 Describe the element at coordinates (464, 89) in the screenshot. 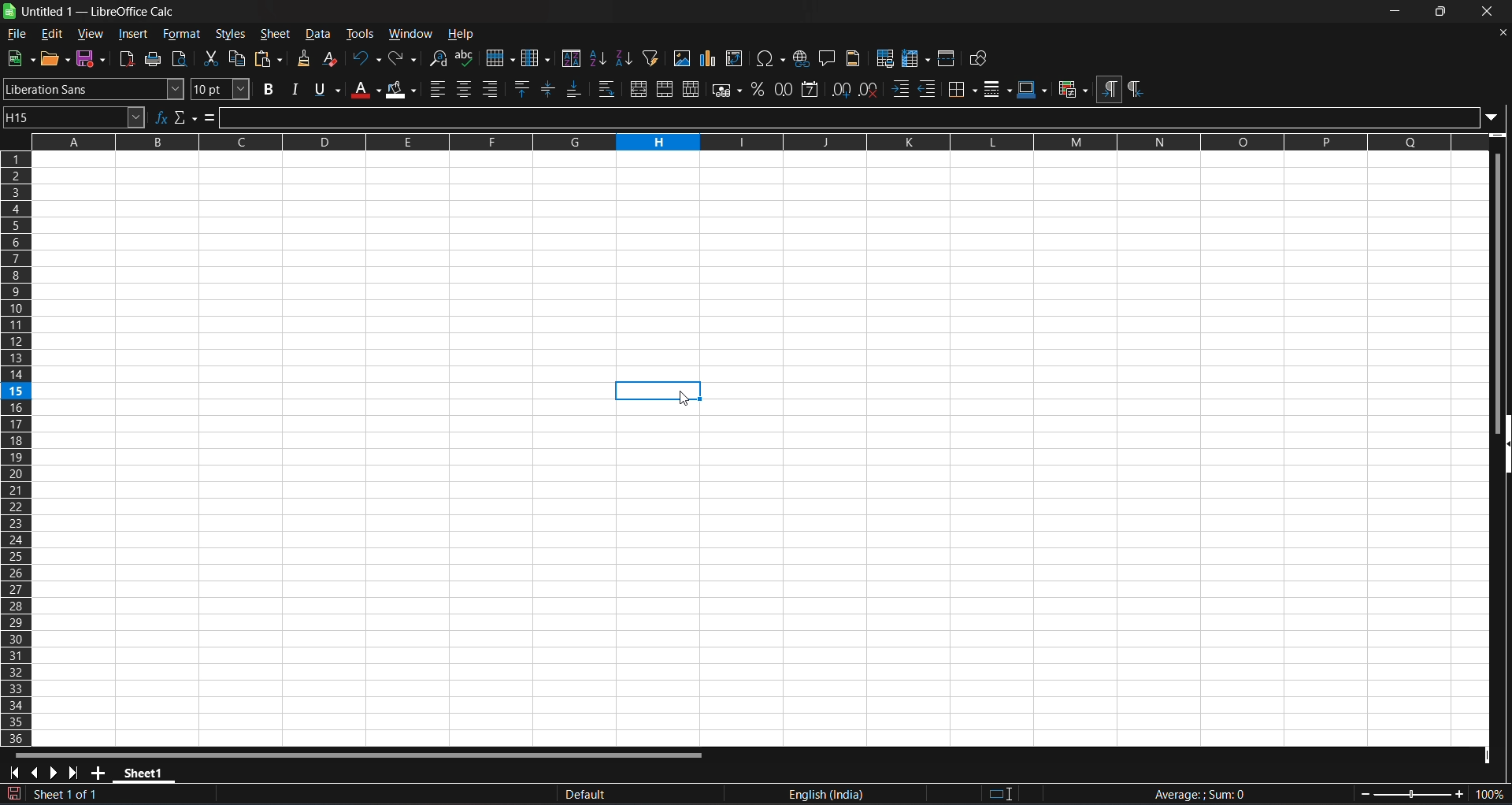

I see `align center` at that location.